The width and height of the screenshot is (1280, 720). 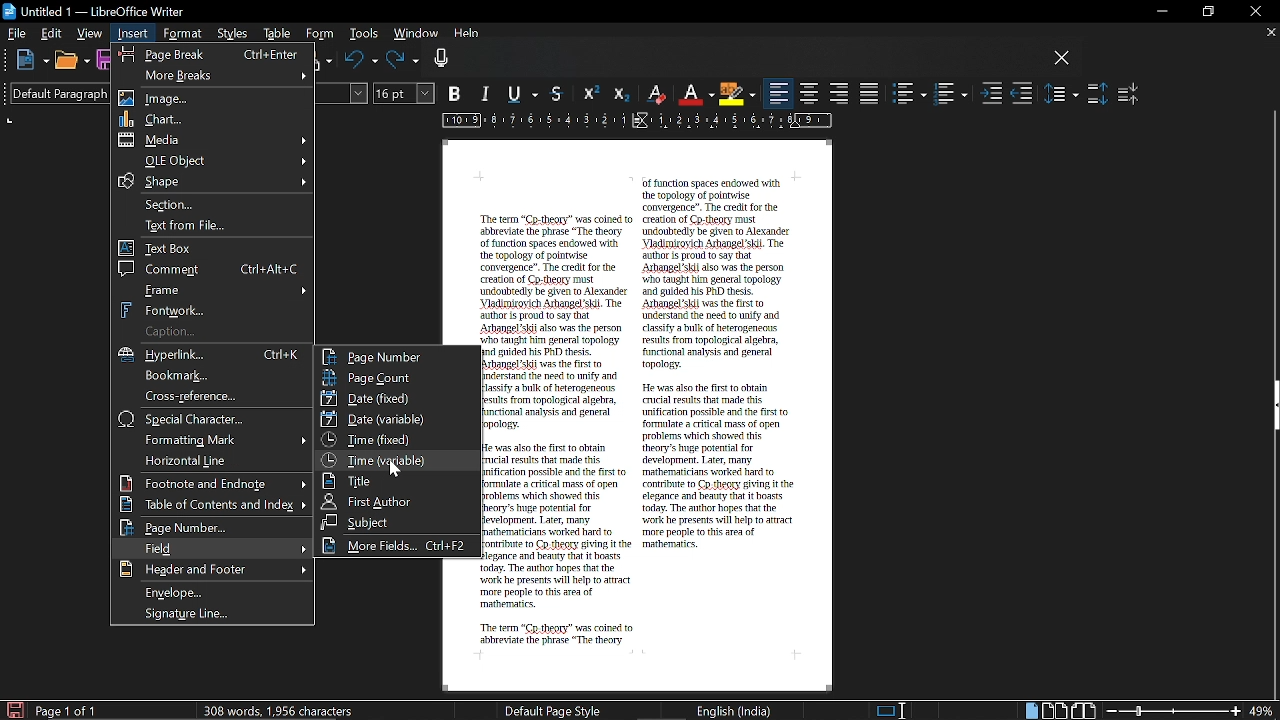 What do you see at coordinates (394, 480) in the screenshot?
I see `title` at bounding box center [394, 480].